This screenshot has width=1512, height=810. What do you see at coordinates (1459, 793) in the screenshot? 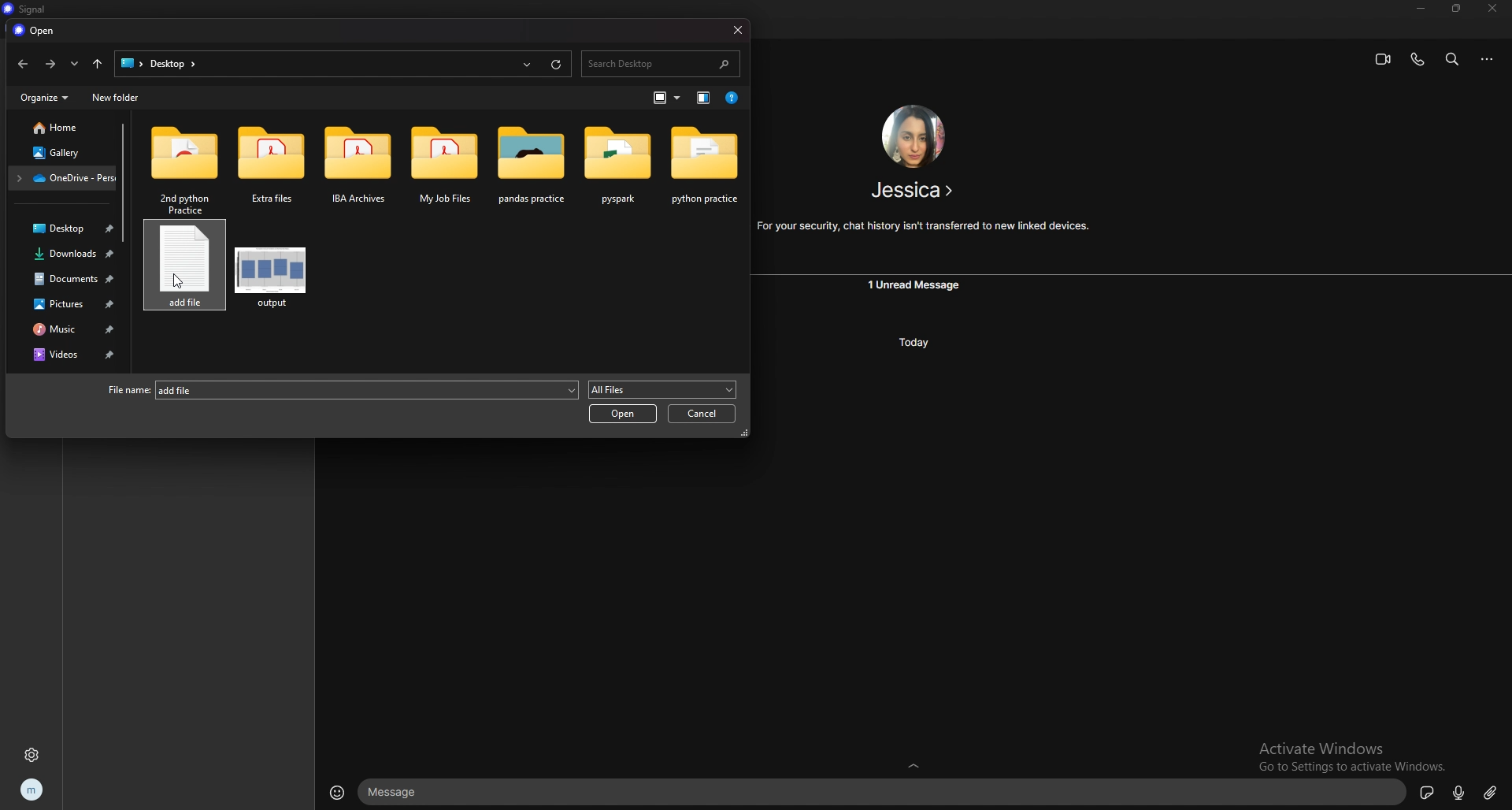
I see `voice type` at bounding box center [1459, 793].